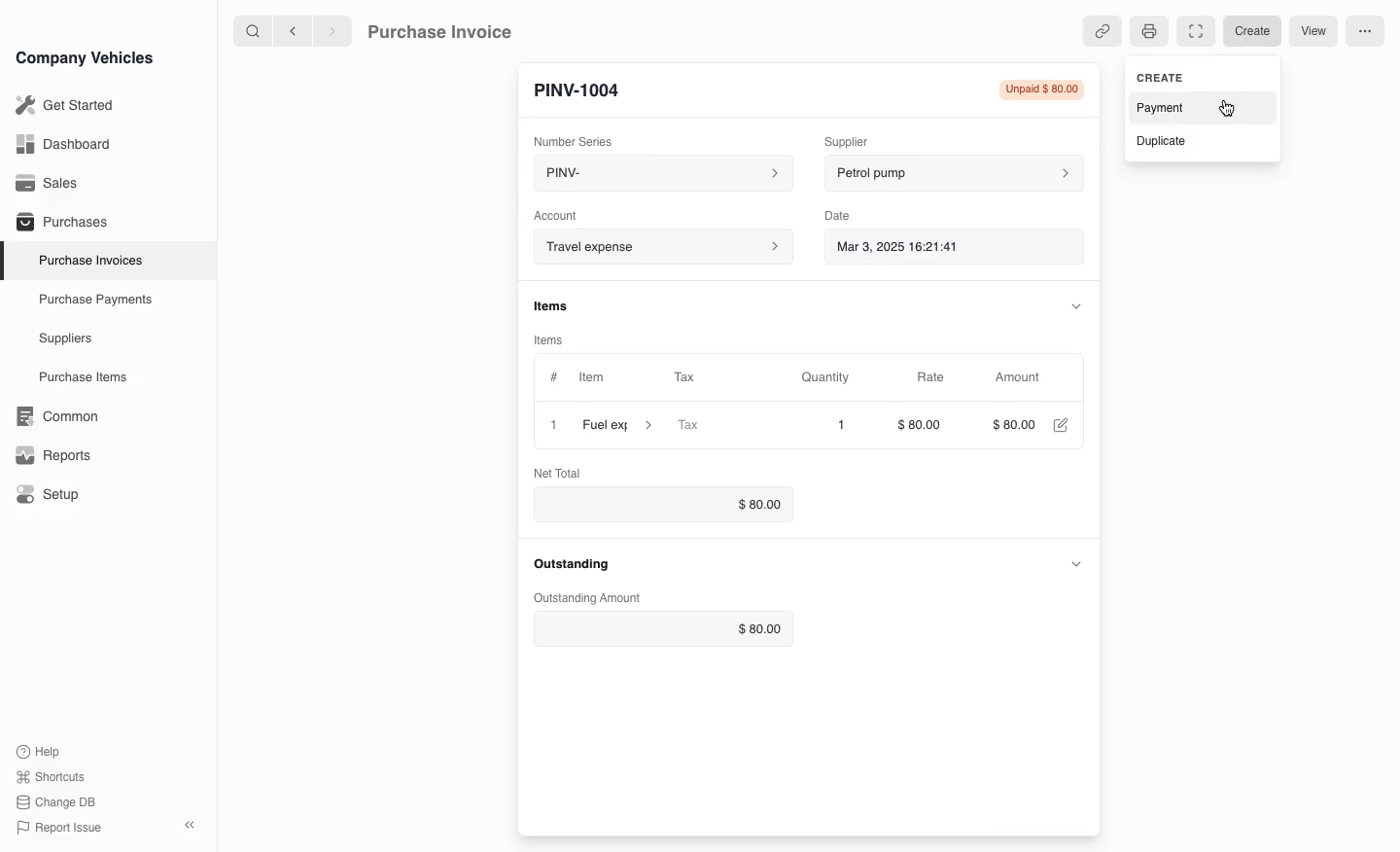  What do you see at coordinates (53, 455) in the screenshot?
I see `Reports` at bounding box center [53, 455].